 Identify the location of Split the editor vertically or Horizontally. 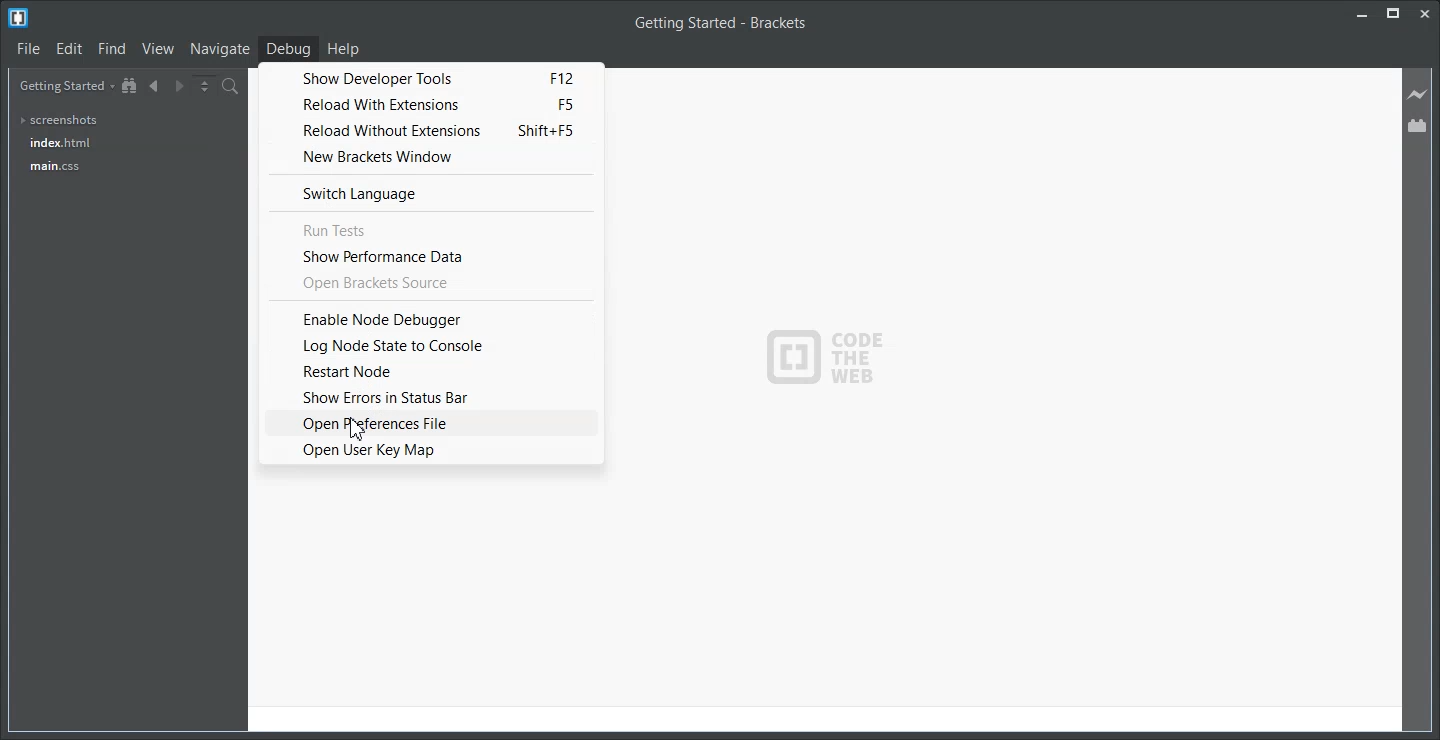
(204, 86).